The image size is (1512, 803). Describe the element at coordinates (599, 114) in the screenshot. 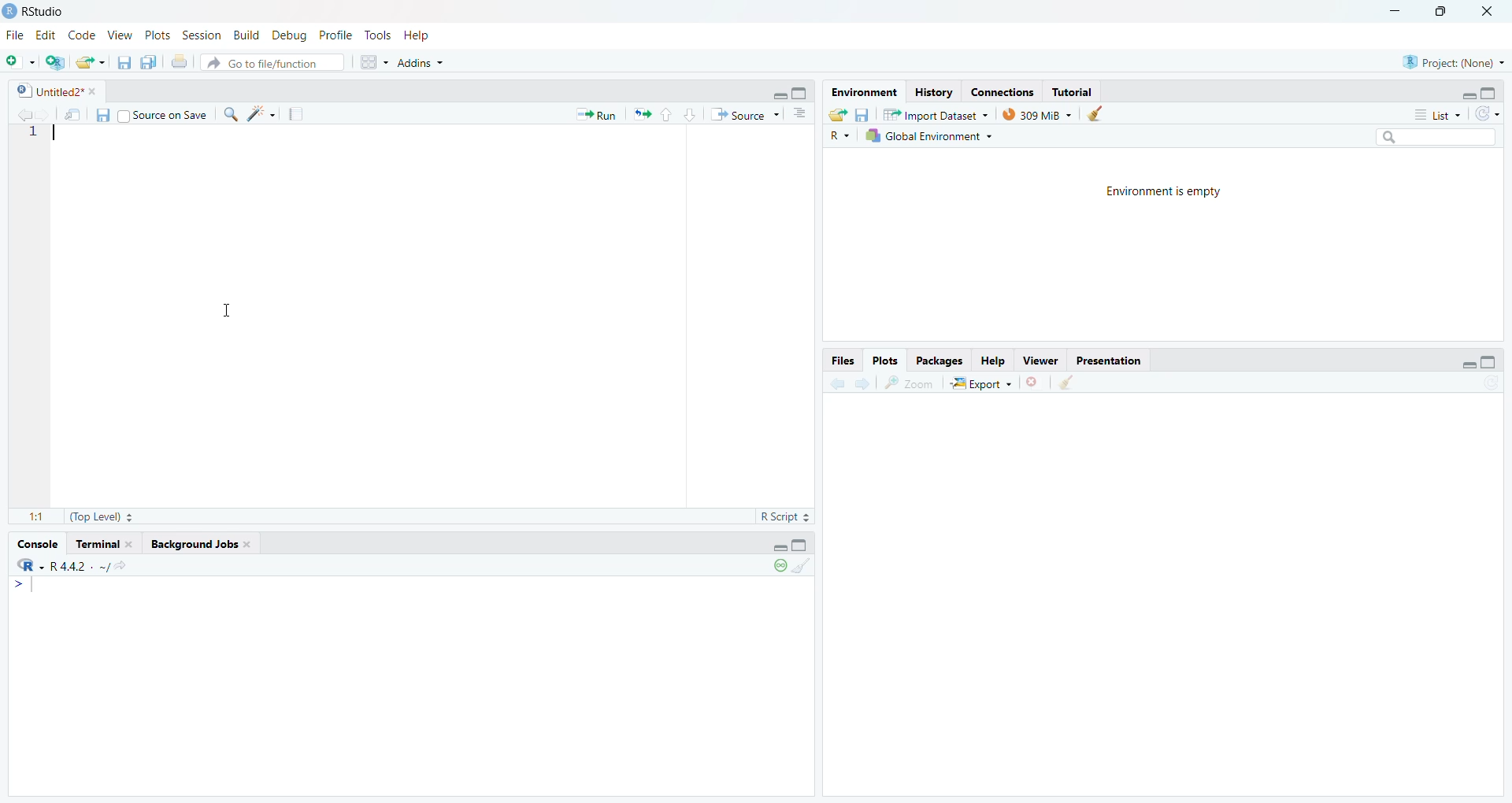

I see `Run` at that location.